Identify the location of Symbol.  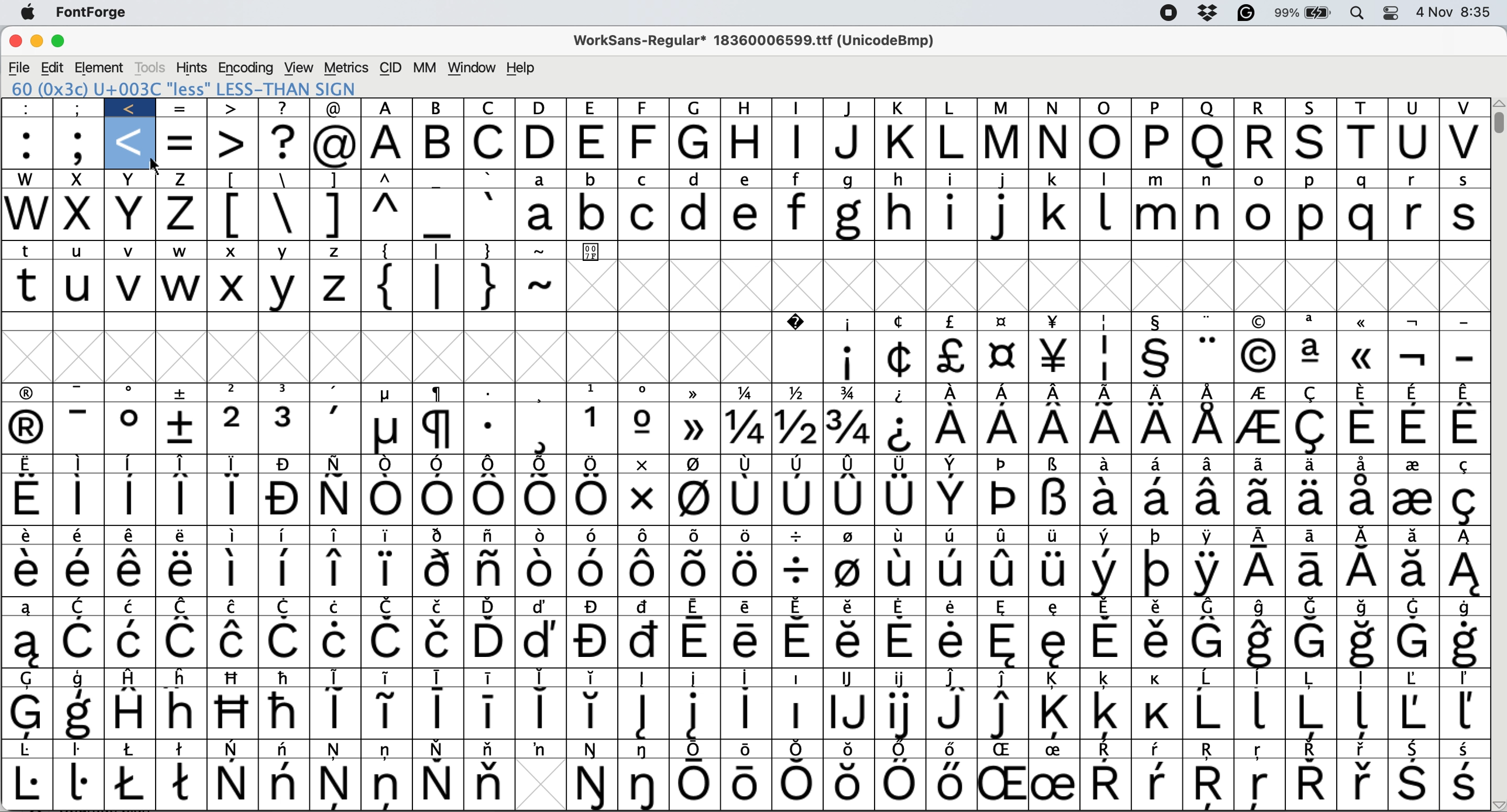
(849, 395).